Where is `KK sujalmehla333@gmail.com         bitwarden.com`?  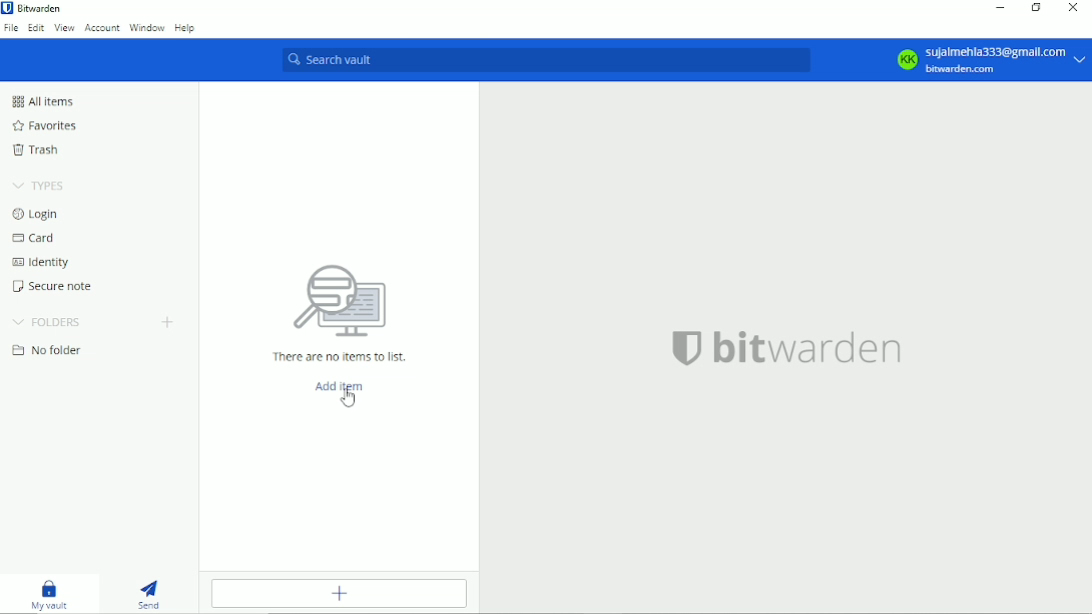 KK sujalmehla333@gmail.com         bitwarden.com is located at coordinates (986, 60).